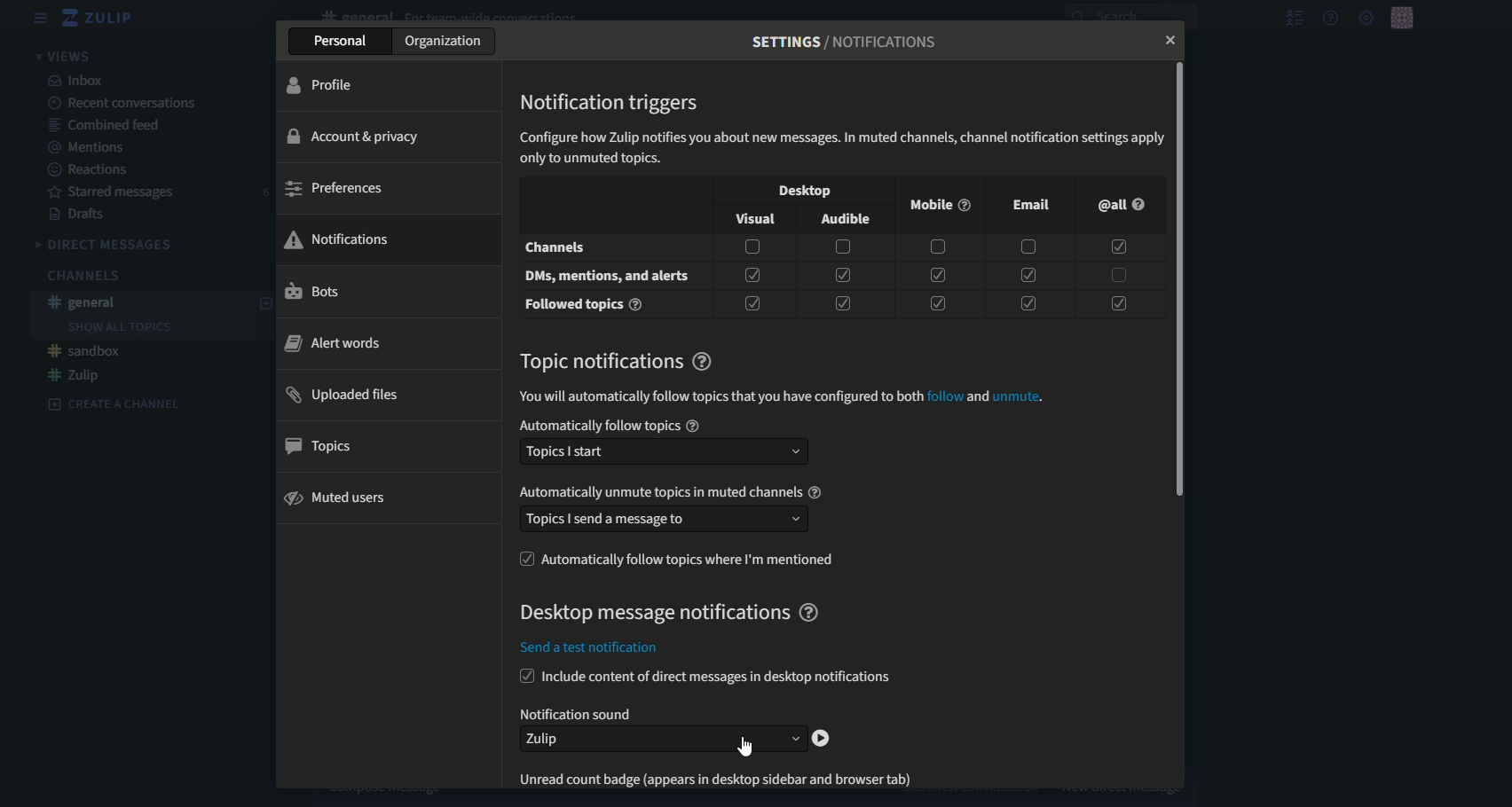  What do you see at coordinates (81, 215) in the screenshot?
I see `Drafts` at bounding box center [81, 215].